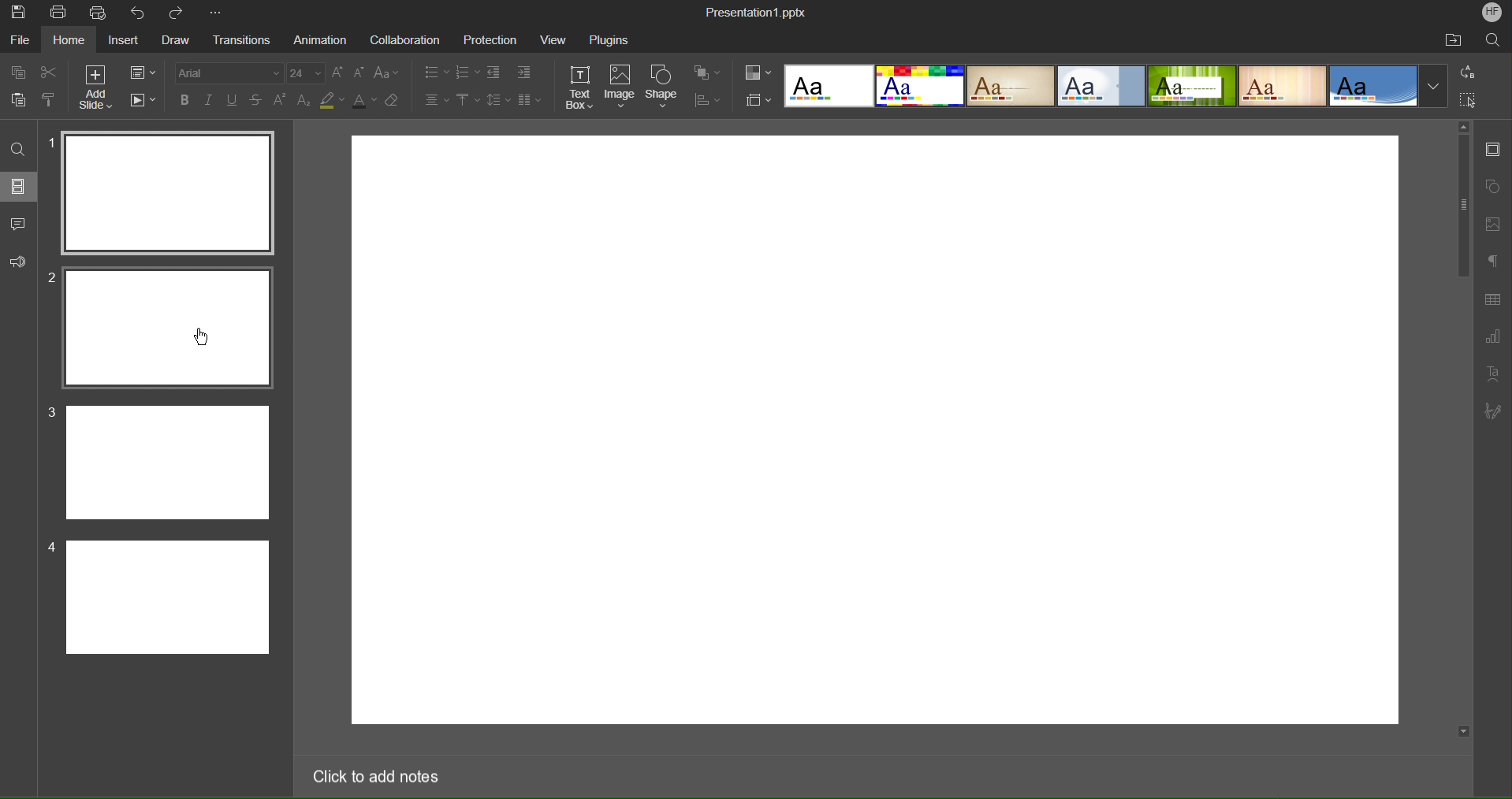 The height and width of the screenshot is (799, 1512). Describe the element at coordinates (17, 13) in the screenshot. I see `Save` at that location.